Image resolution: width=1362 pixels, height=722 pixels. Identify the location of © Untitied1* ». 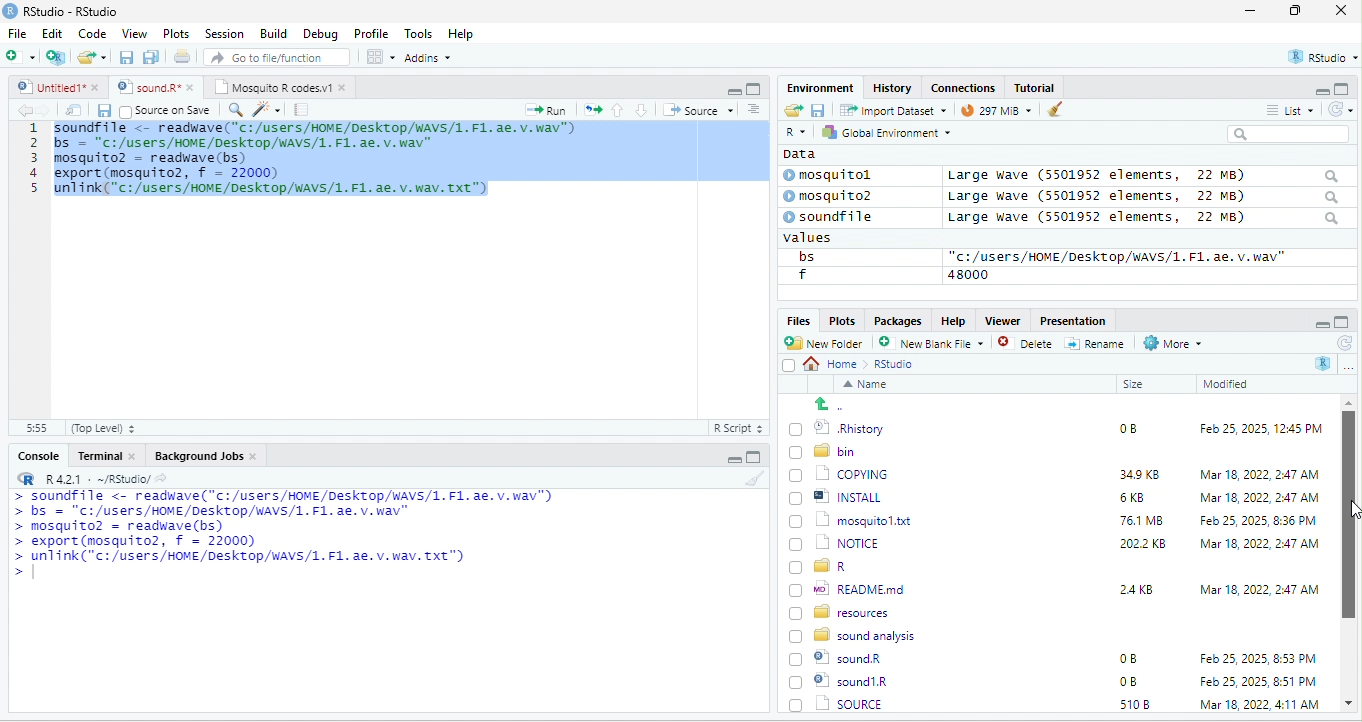
(54, 87).